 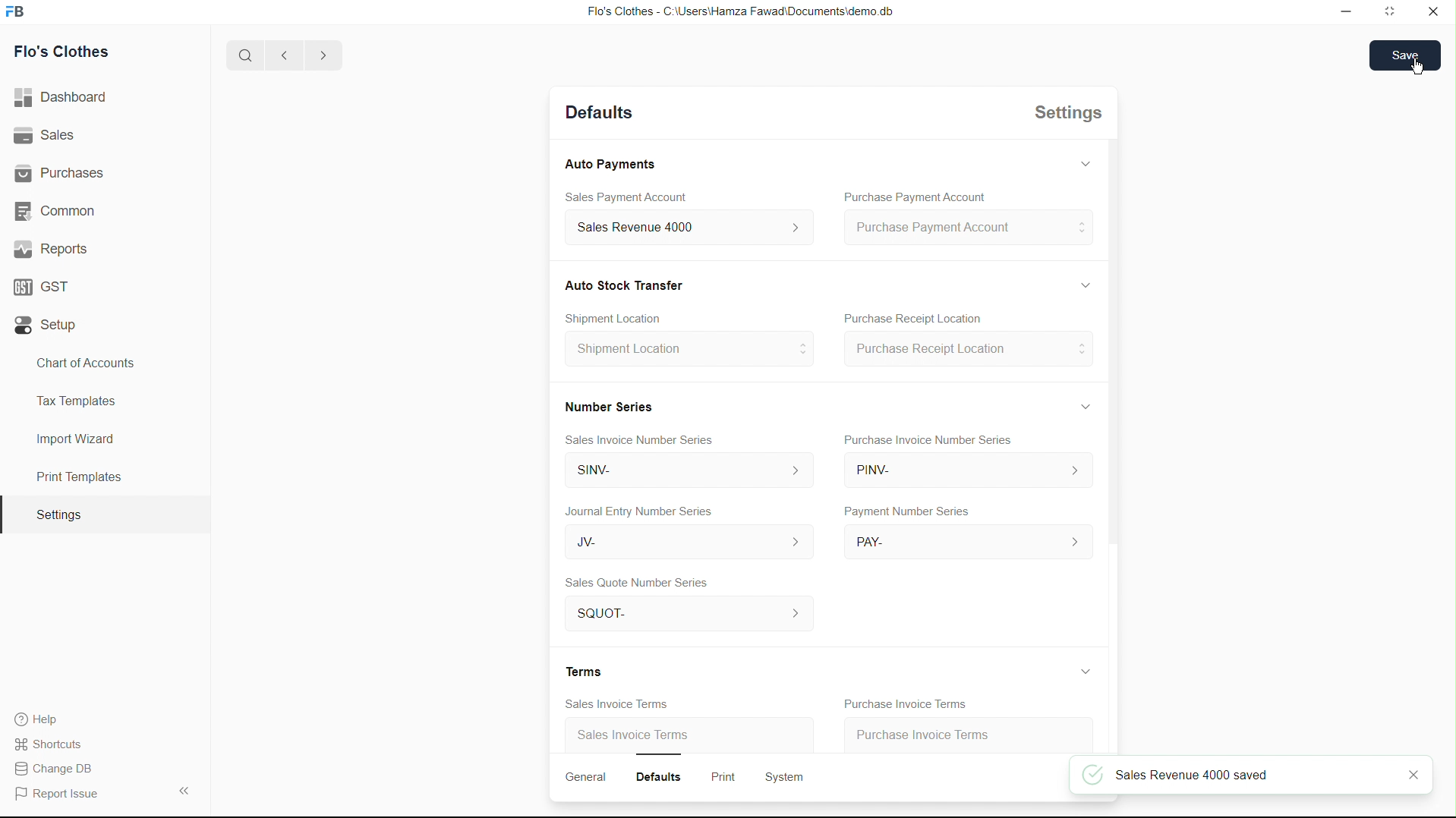 I want to click on Search, so click(x=240, y=55).